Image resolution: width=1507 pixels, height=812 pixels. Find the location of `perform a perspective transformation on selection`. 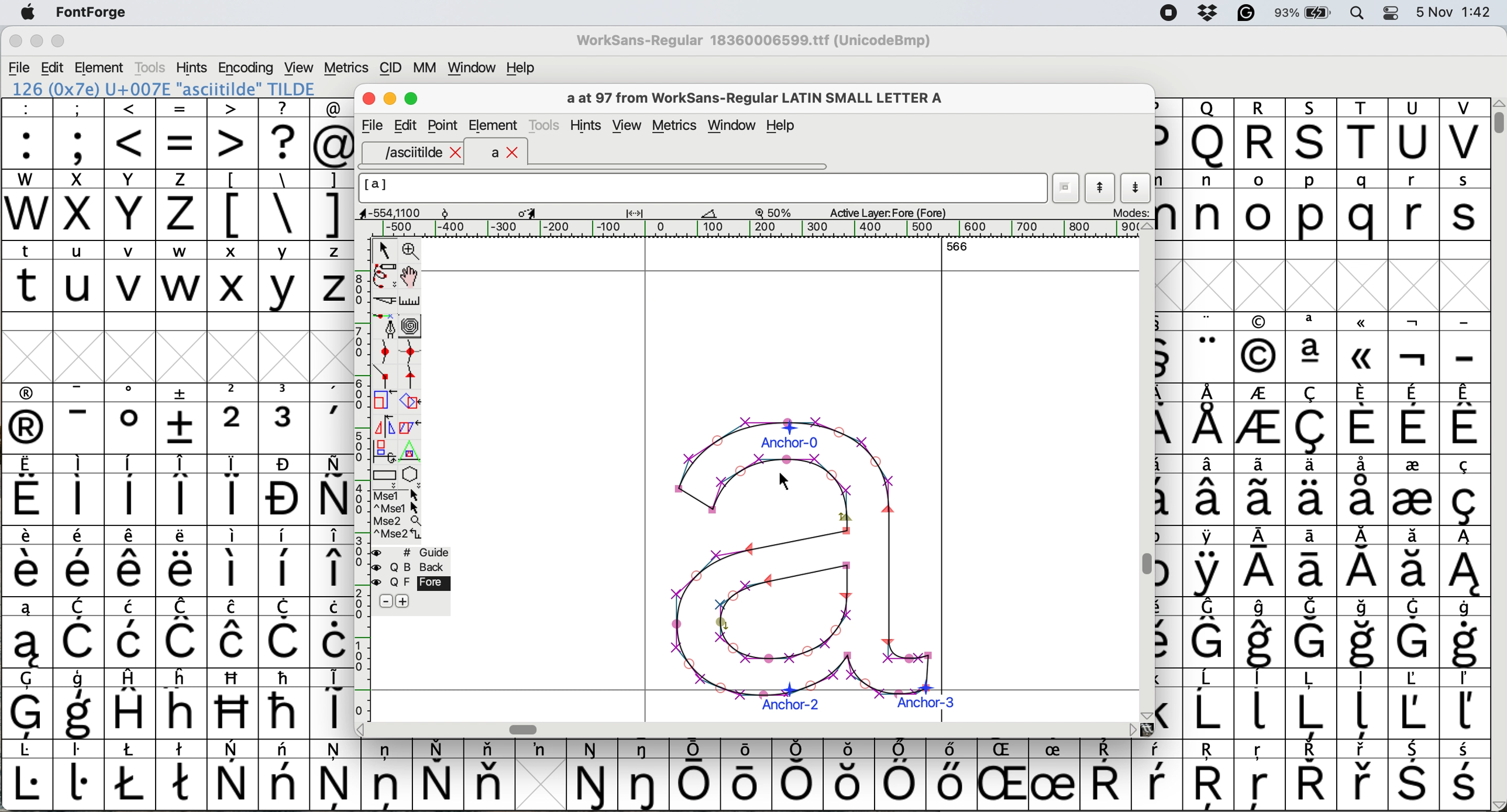

perform a perspective transformation on selection is located at coordinates (410, 452).